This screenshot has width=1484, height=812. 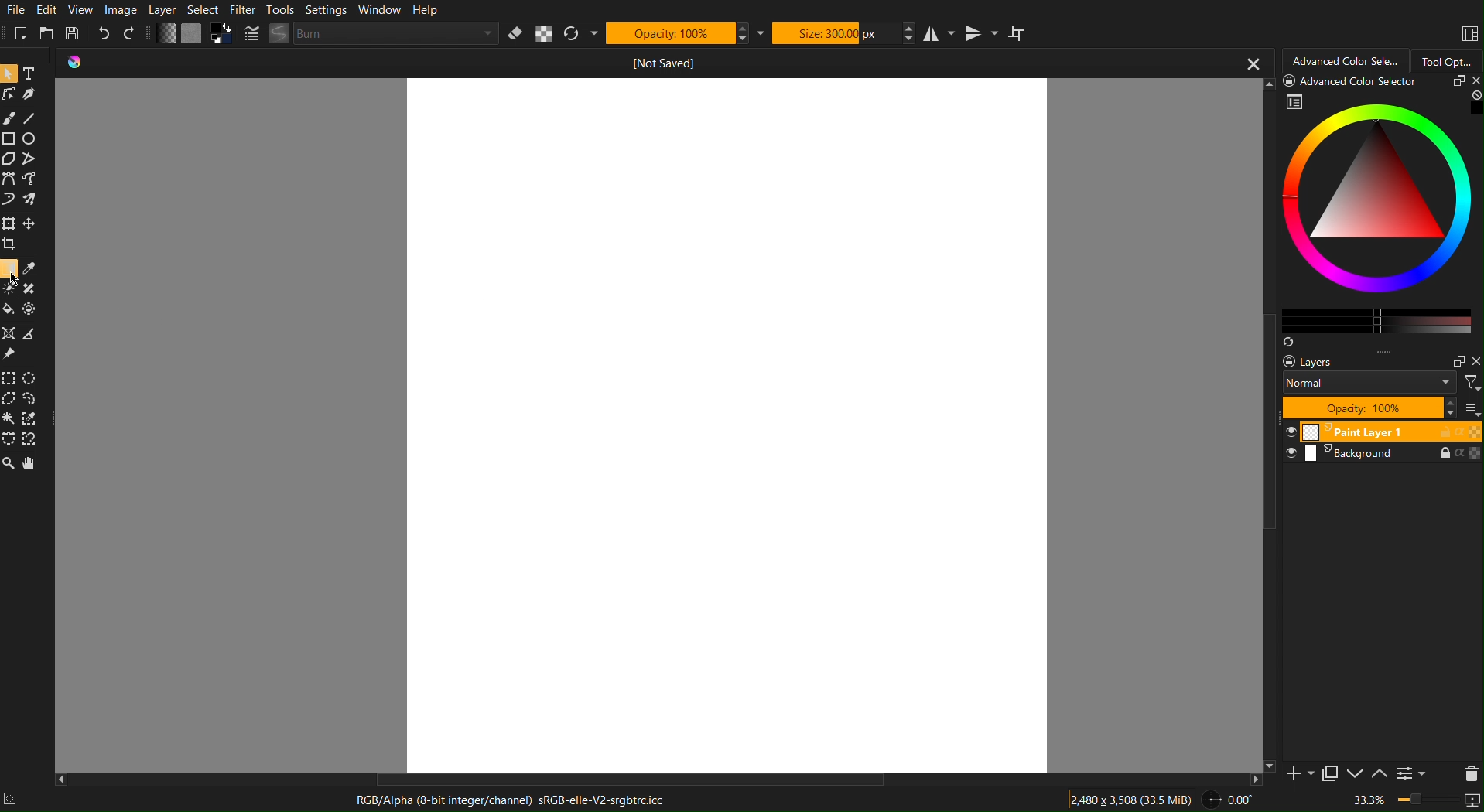 What do you see at coordinates (1373, 210) in the screenshot?
I see `Advanced Color Selector` at bounding box center [1373, 210].